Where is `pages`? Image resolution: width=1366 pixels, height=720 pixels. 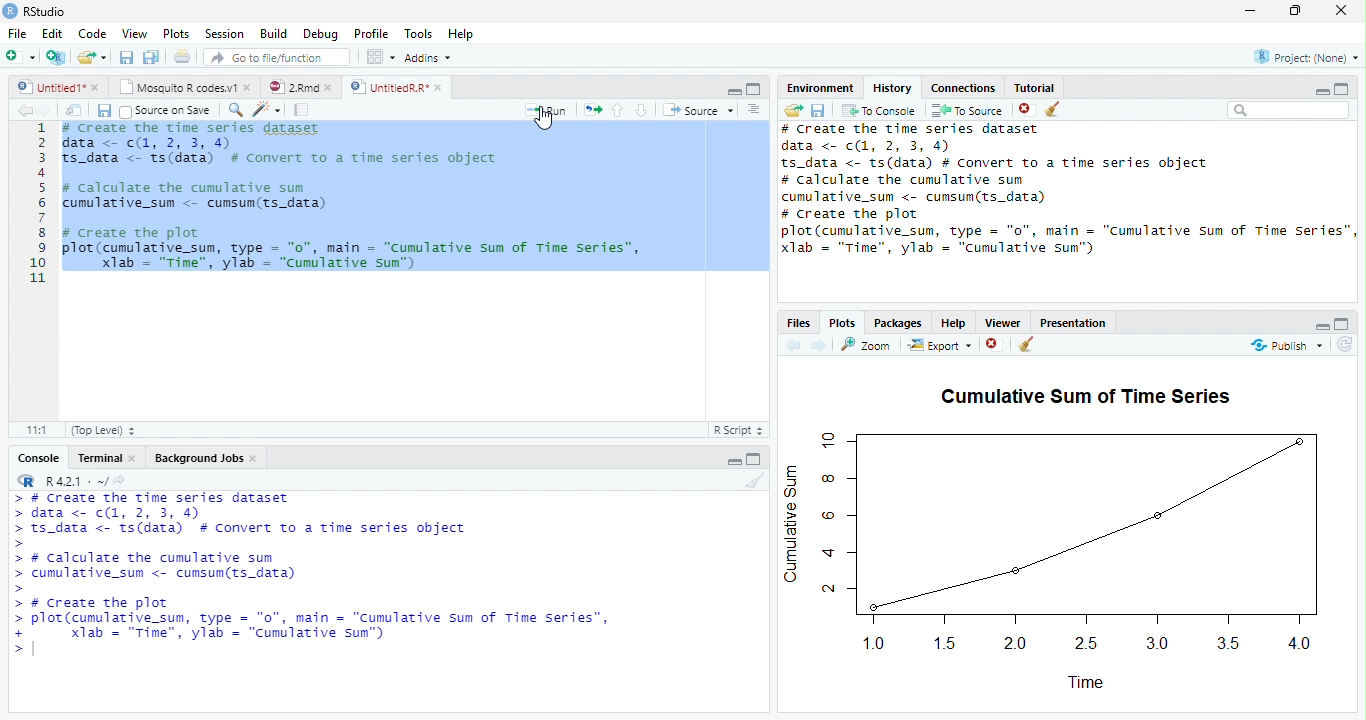
pages is located at coordinates (299, 112).